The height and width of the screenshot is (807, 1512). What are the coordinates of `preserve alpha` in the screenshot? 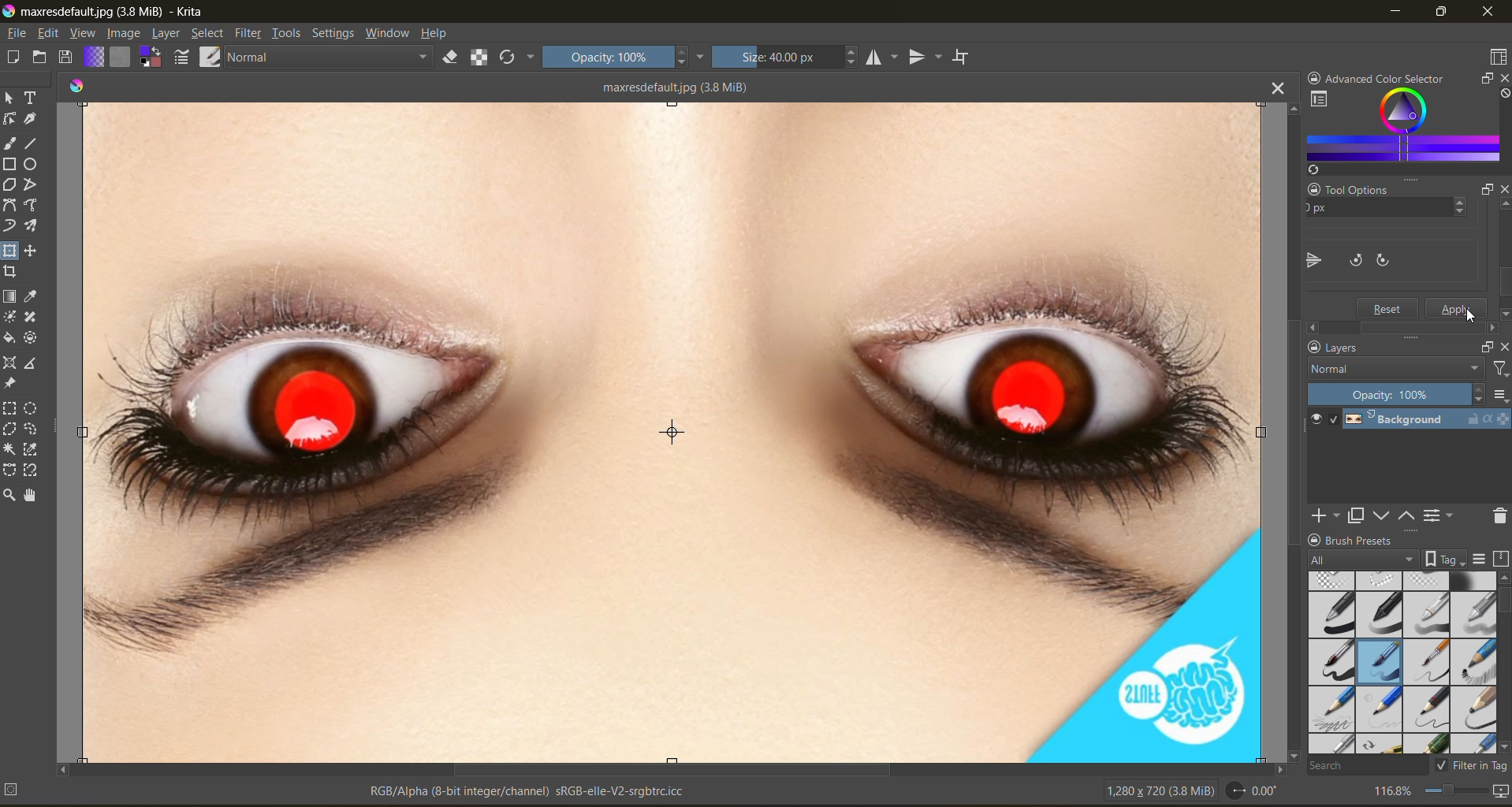 It's located at (480, 58).